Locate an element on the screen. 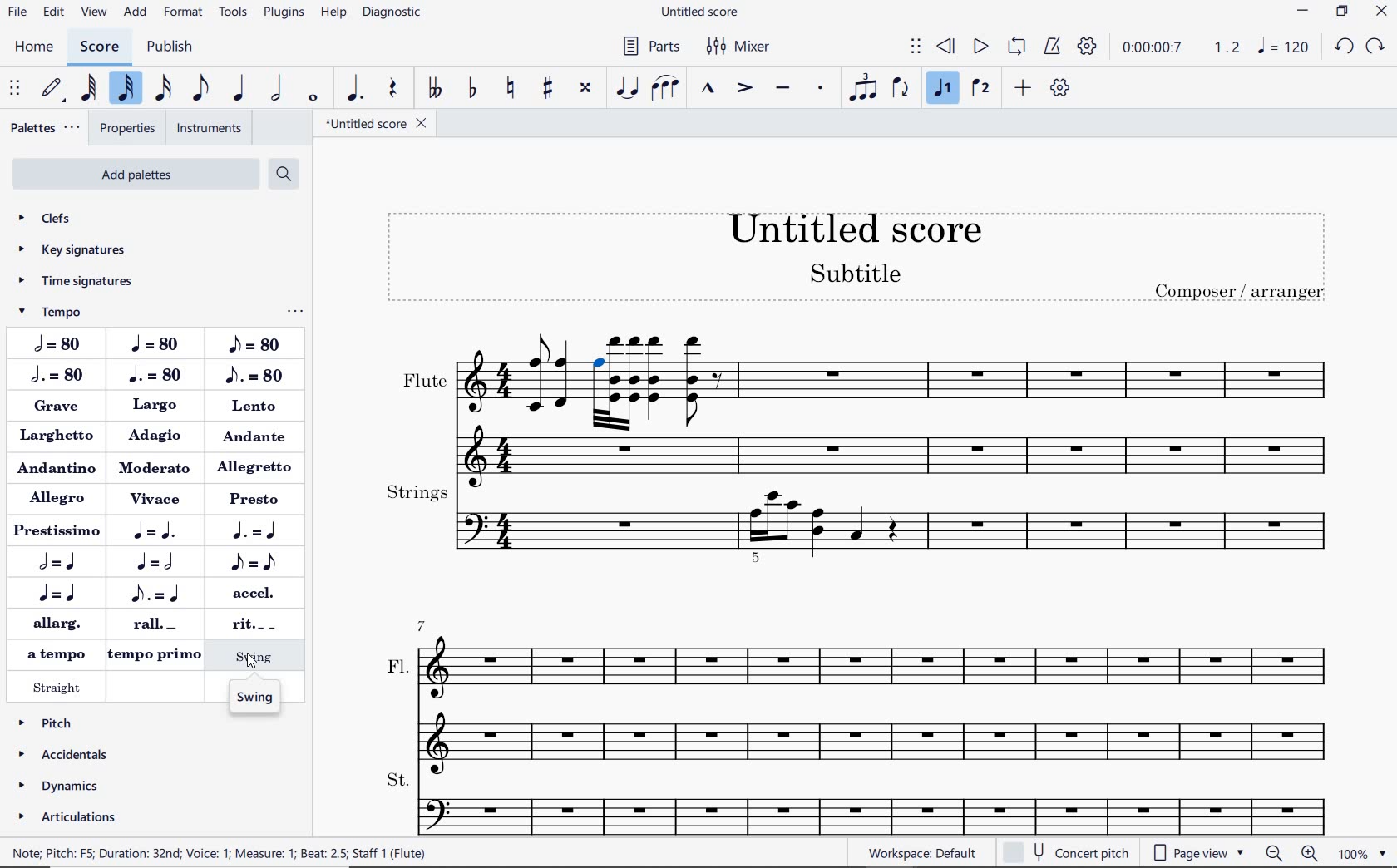  AUGMENTATION DOT is located at coordinates (355, 87).